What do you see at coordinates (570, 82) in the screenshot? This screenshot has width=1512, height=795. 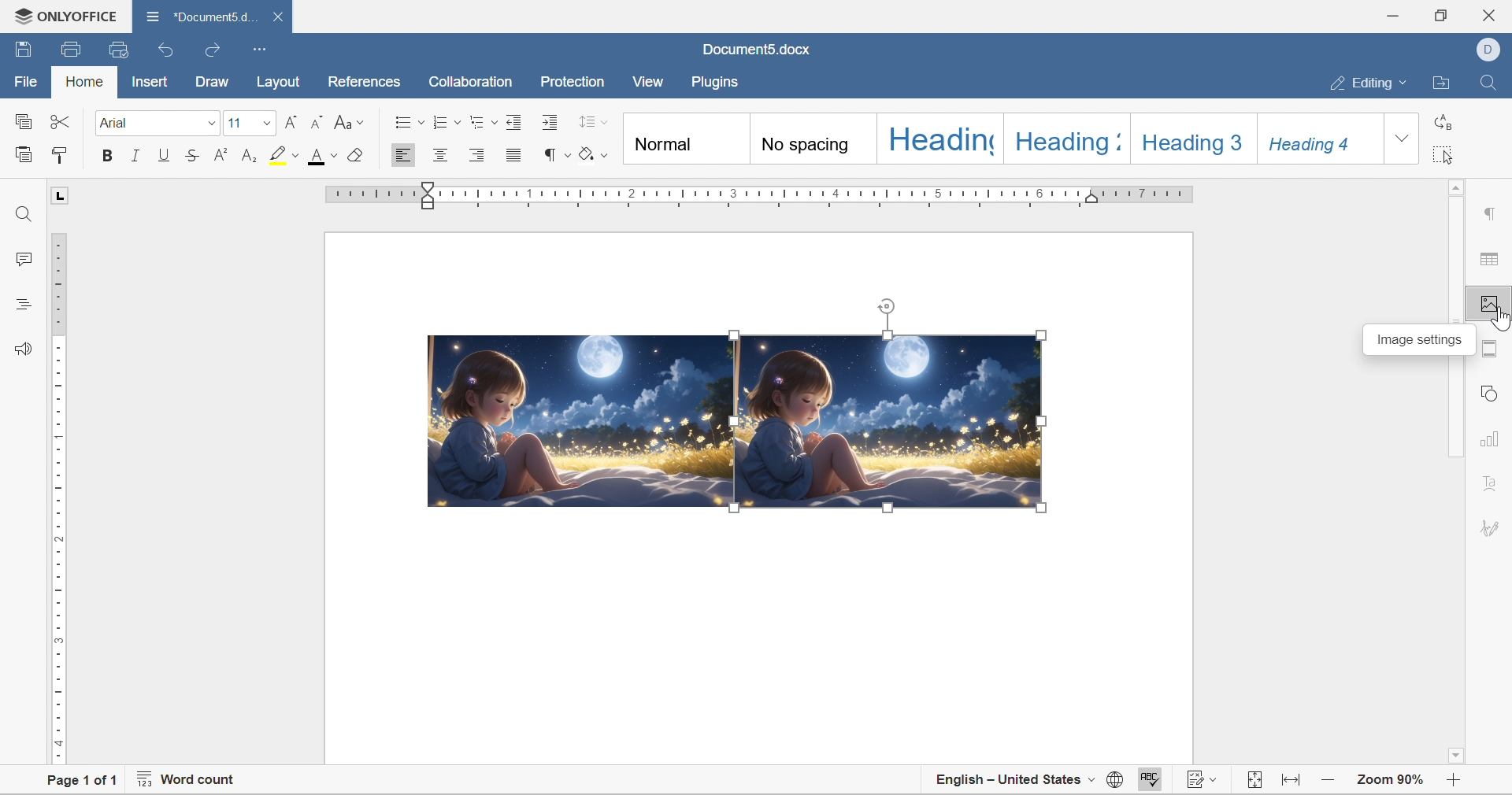 I see `protection` at bounding box center [570, 82].